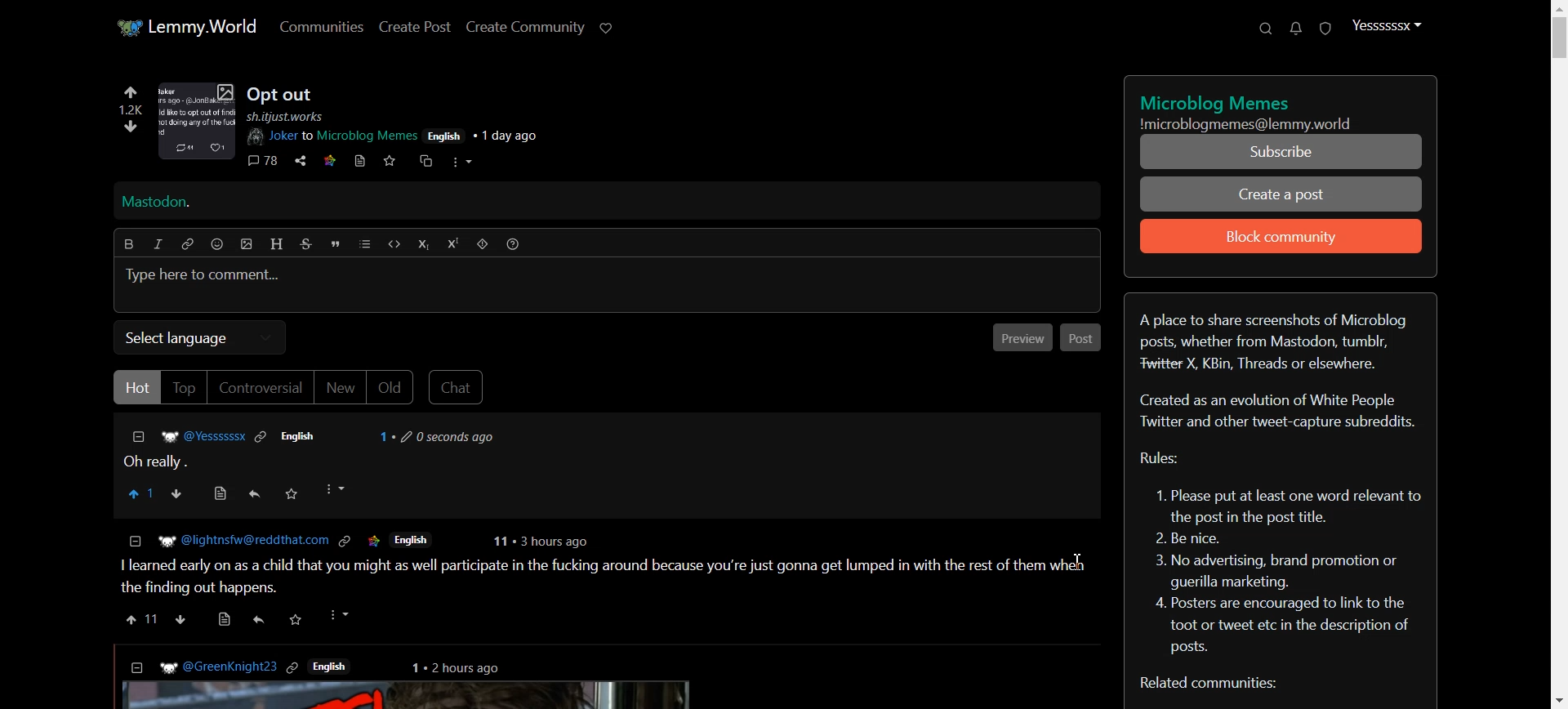 The image size is (1568, 709). Describe the element at coordinates (292, 493) in the screenshot. I see `Save ` at that location.